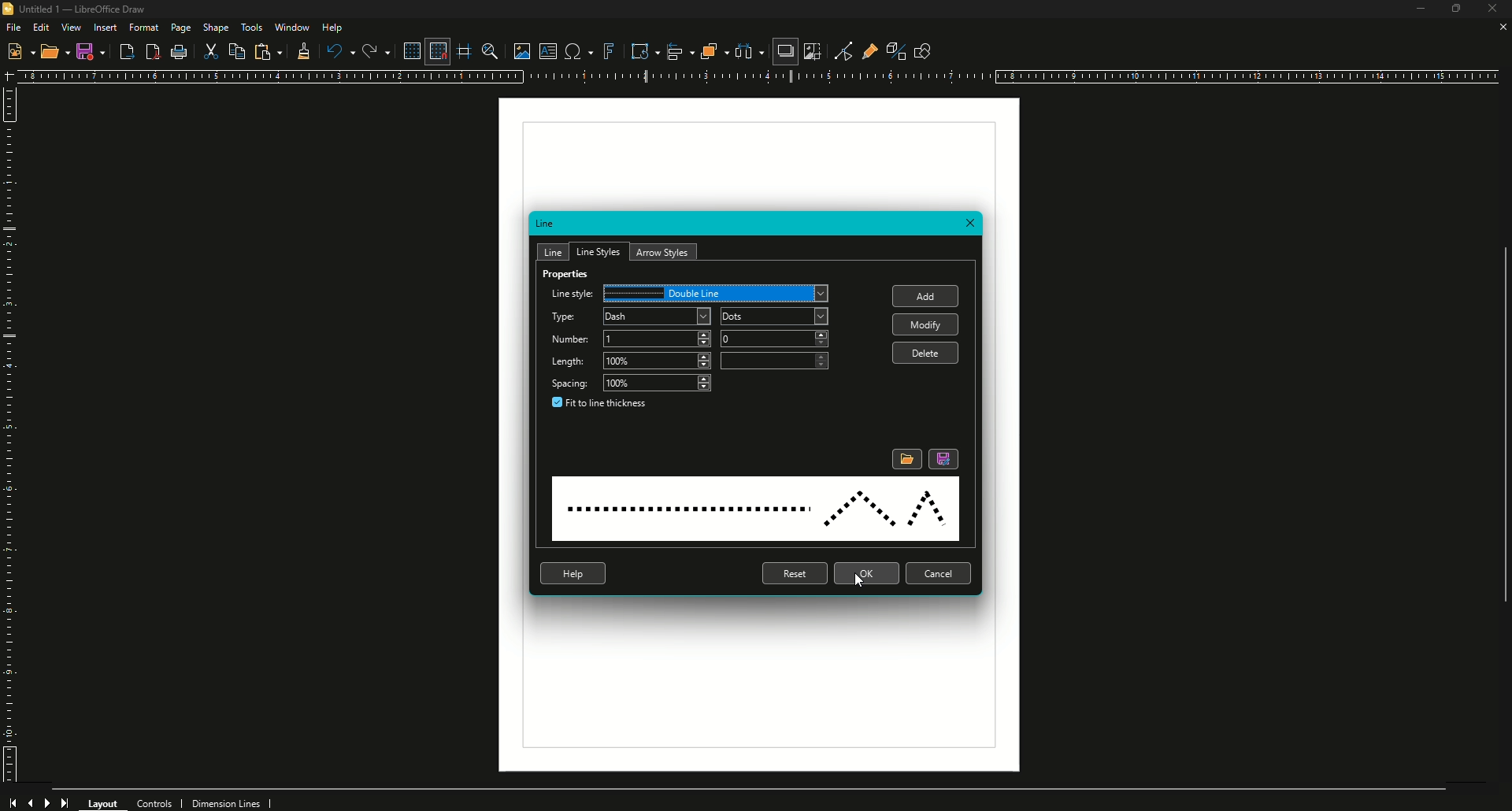  I want to click on Length, so click(573, 363).